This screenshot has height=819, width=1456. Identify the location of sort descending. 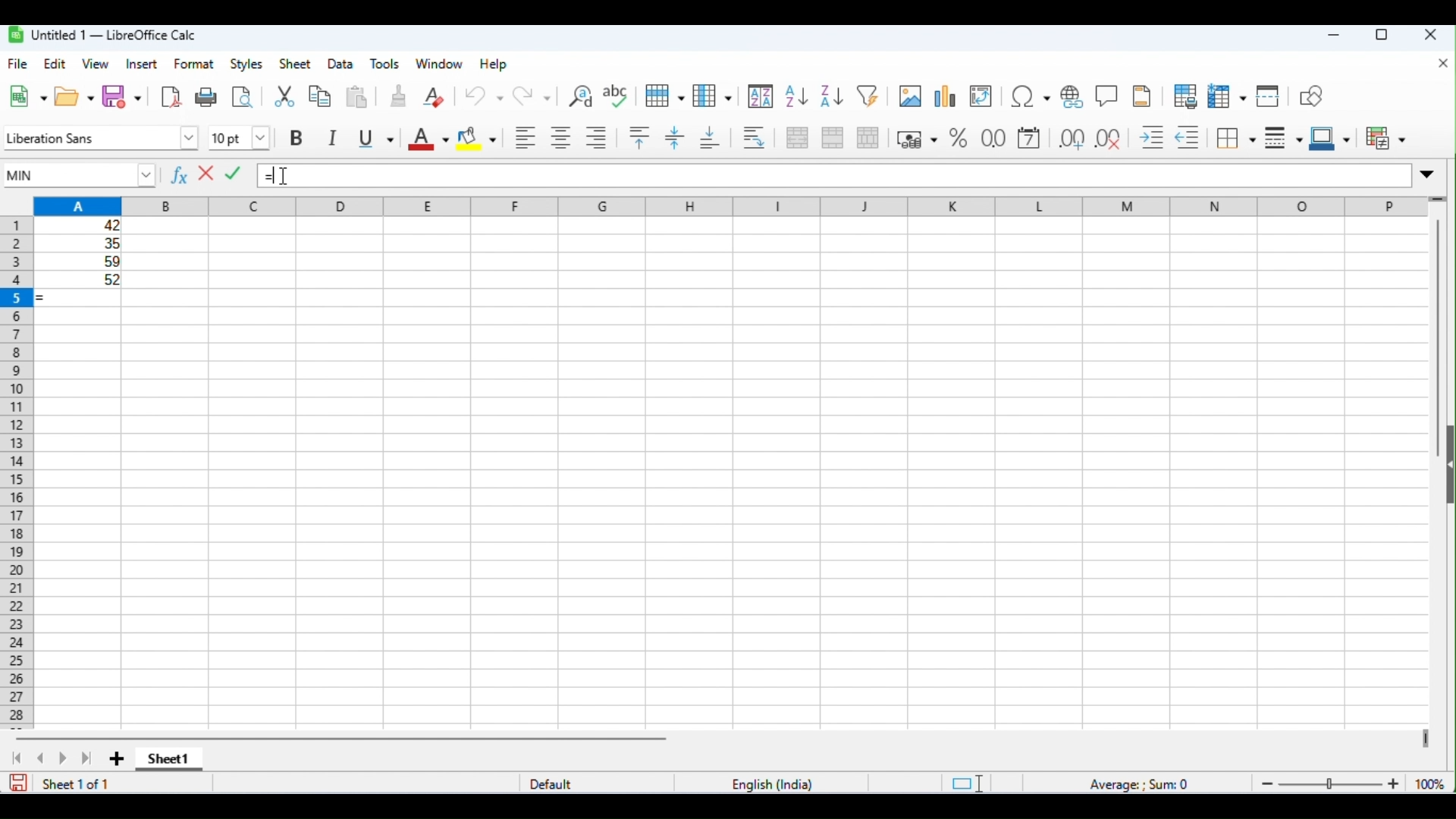
(830, 96).